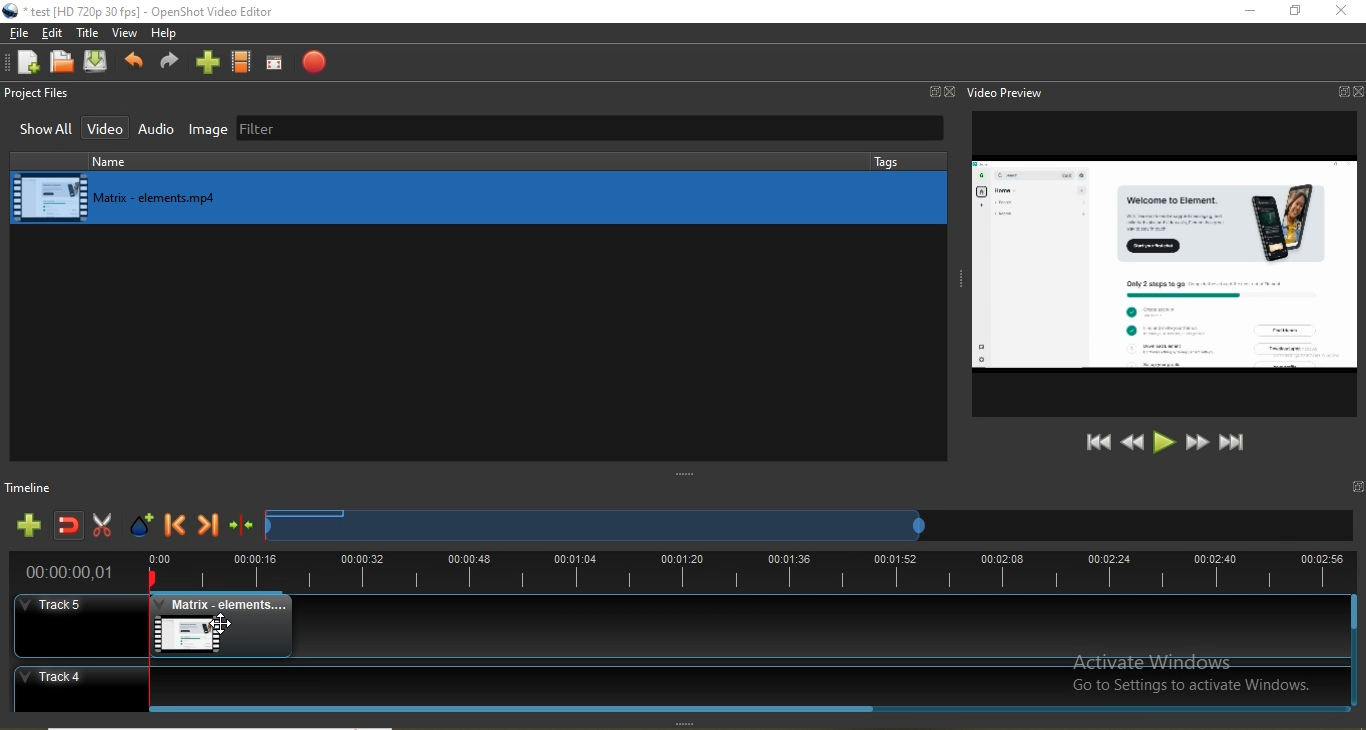  I want to click on Export video, so click(310, 62).